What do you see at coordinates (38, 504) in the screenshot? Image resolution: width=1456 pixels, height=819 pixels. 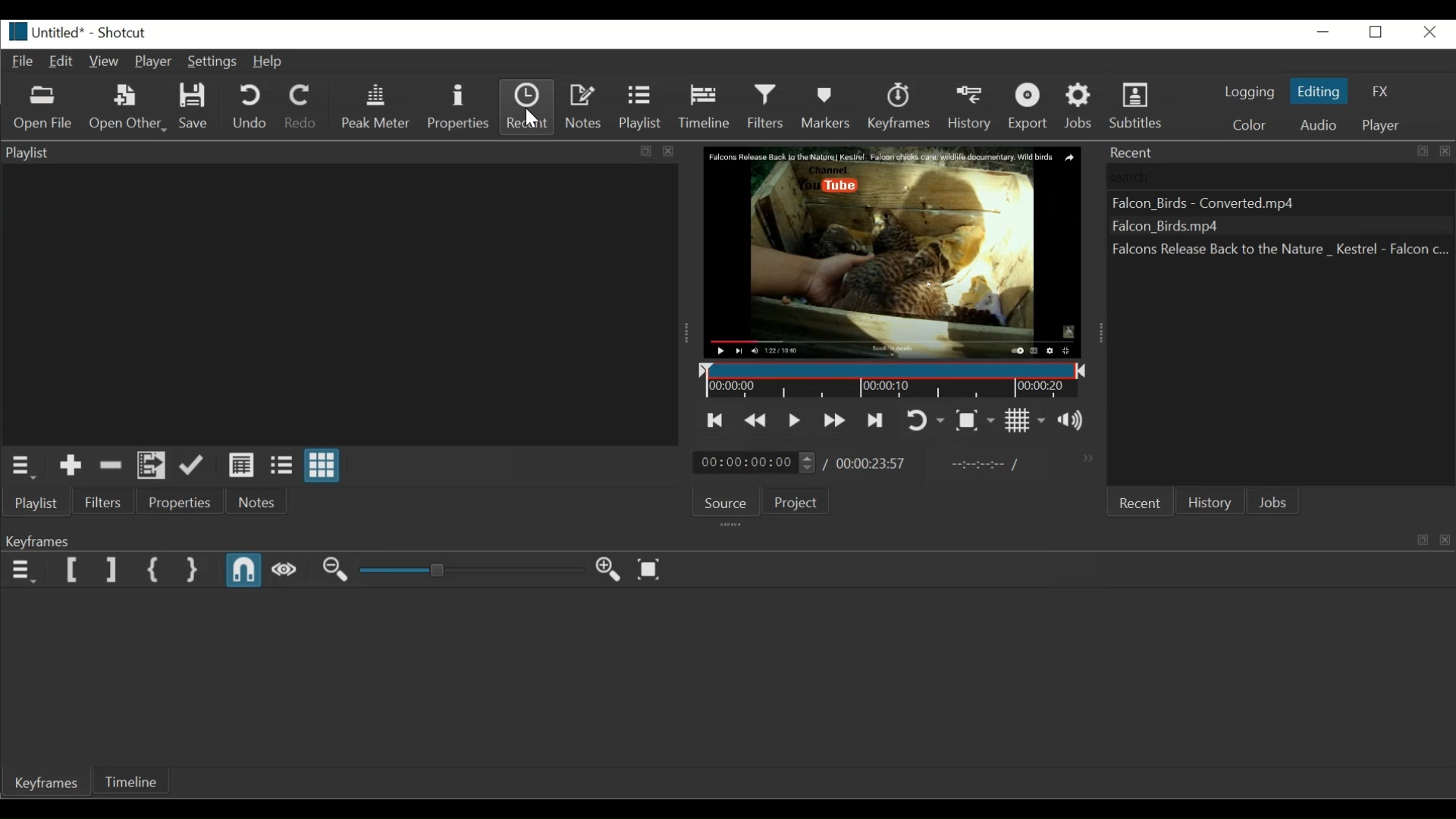 I see `Playlist` at bounding box center [38, 504].